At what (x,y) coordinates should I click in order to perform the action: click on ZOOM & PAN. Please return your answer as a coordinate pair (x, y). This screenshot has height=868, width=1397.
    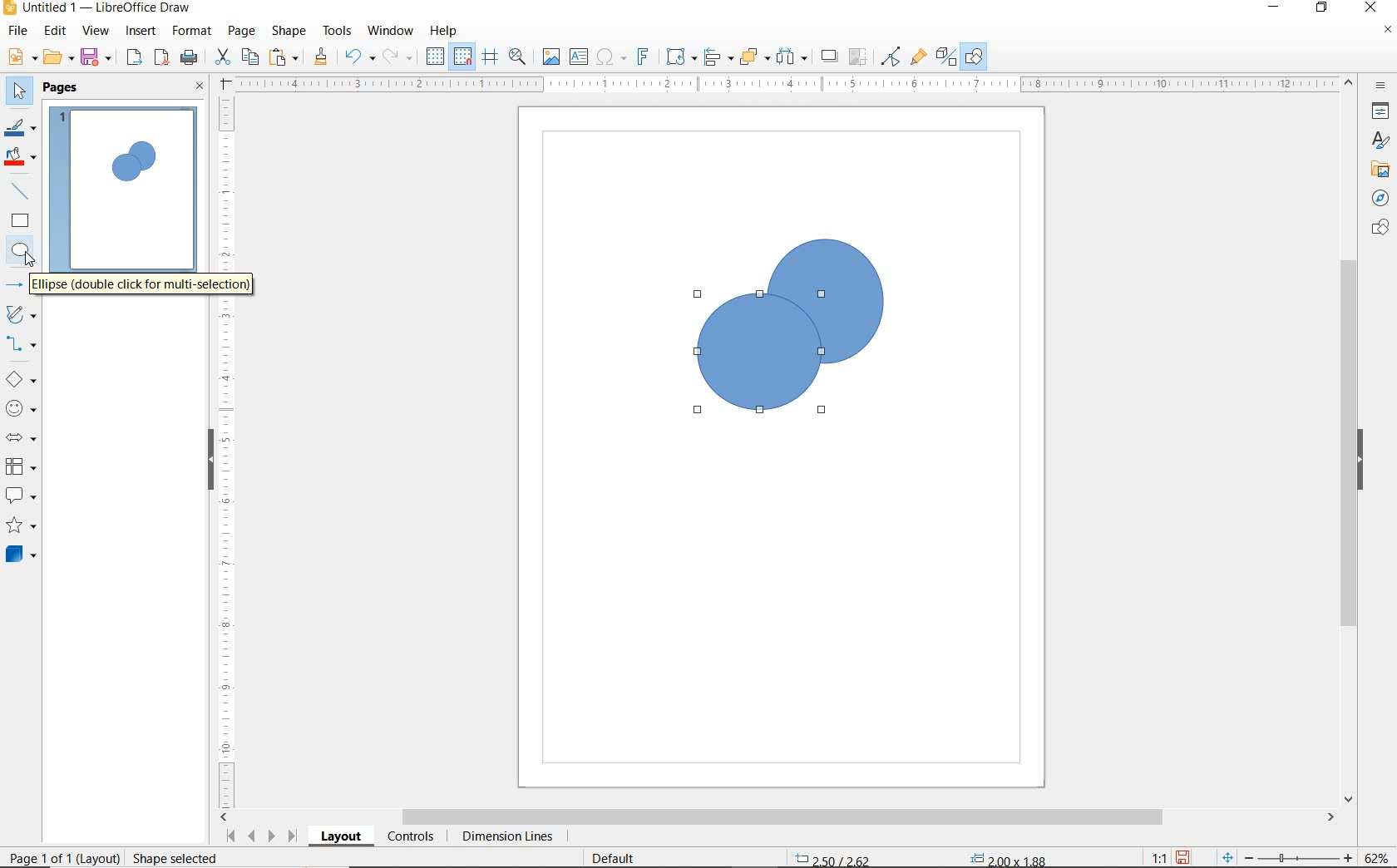
    Looking at the image, I should click on (517, 56).